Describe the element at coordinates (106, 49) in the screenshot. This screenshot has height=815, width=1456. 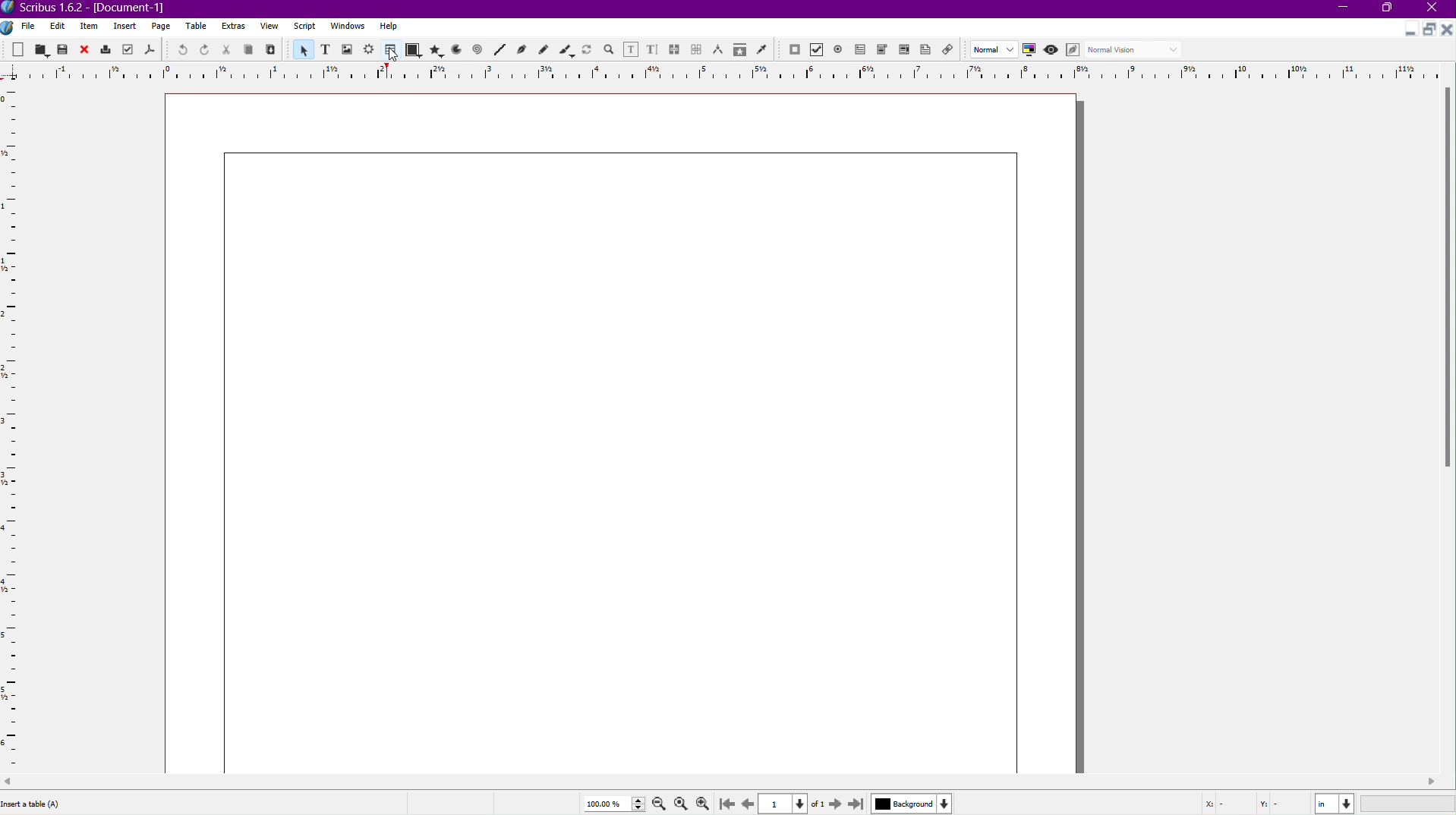
I see `Print` at that location.